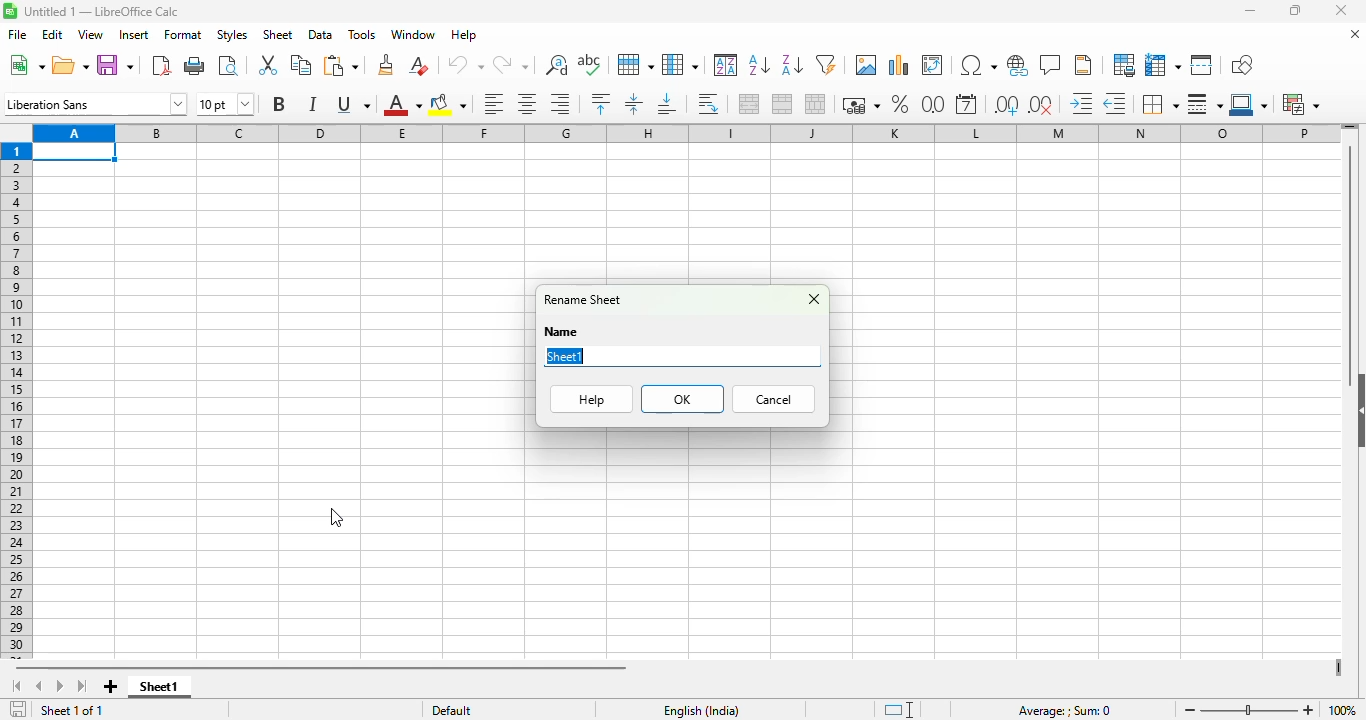 This screenshot has width=1366, height=720. What do you see at coordinates (511, 65) in the screenshot?
I see `redo` at bounding box center [511, 65].